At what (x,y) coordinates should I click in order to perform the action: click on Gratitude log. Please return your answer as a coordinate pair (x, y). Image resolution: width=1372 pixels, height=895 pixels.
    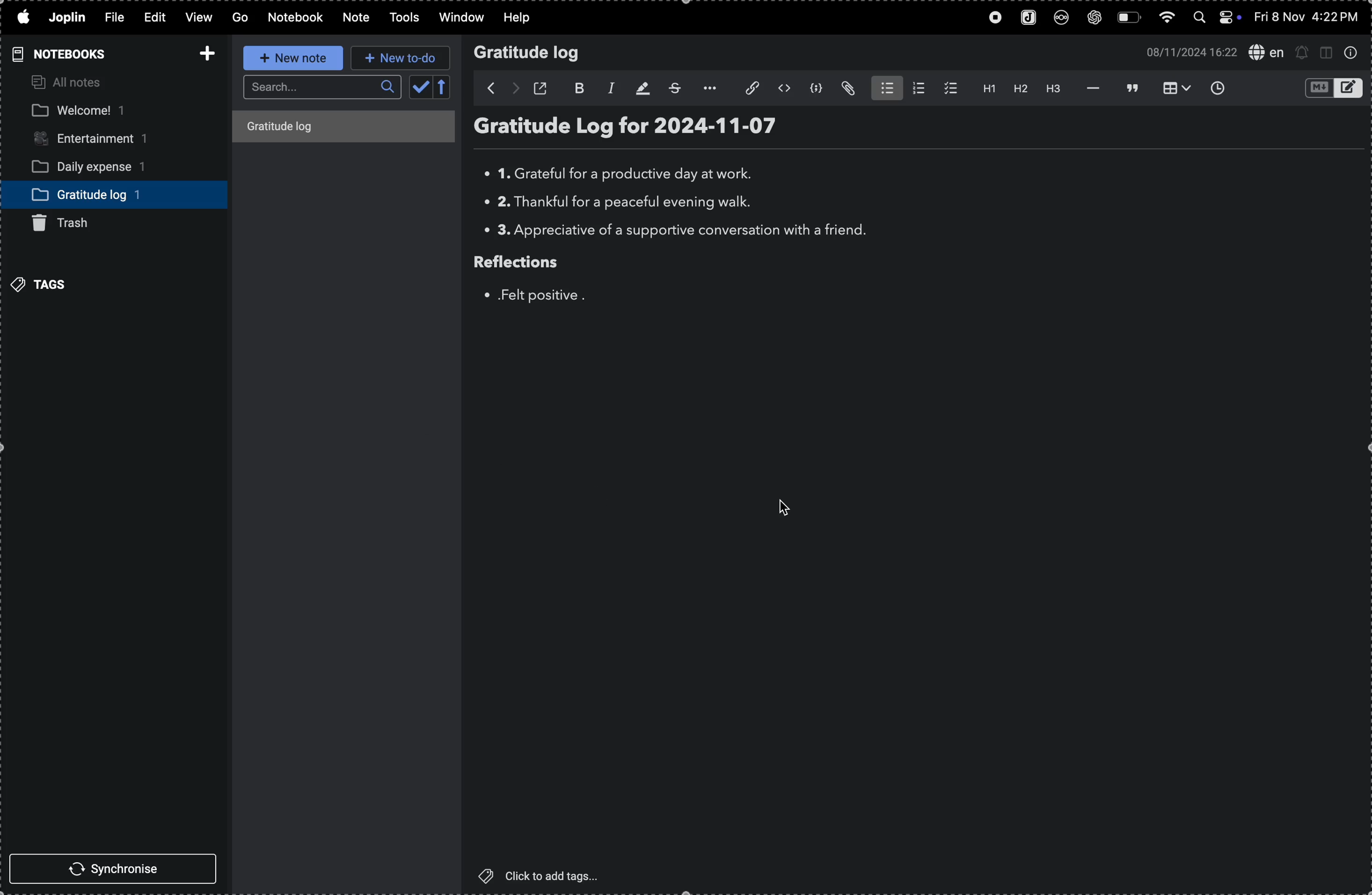
    Looking at the image, I should click on (529, 53).